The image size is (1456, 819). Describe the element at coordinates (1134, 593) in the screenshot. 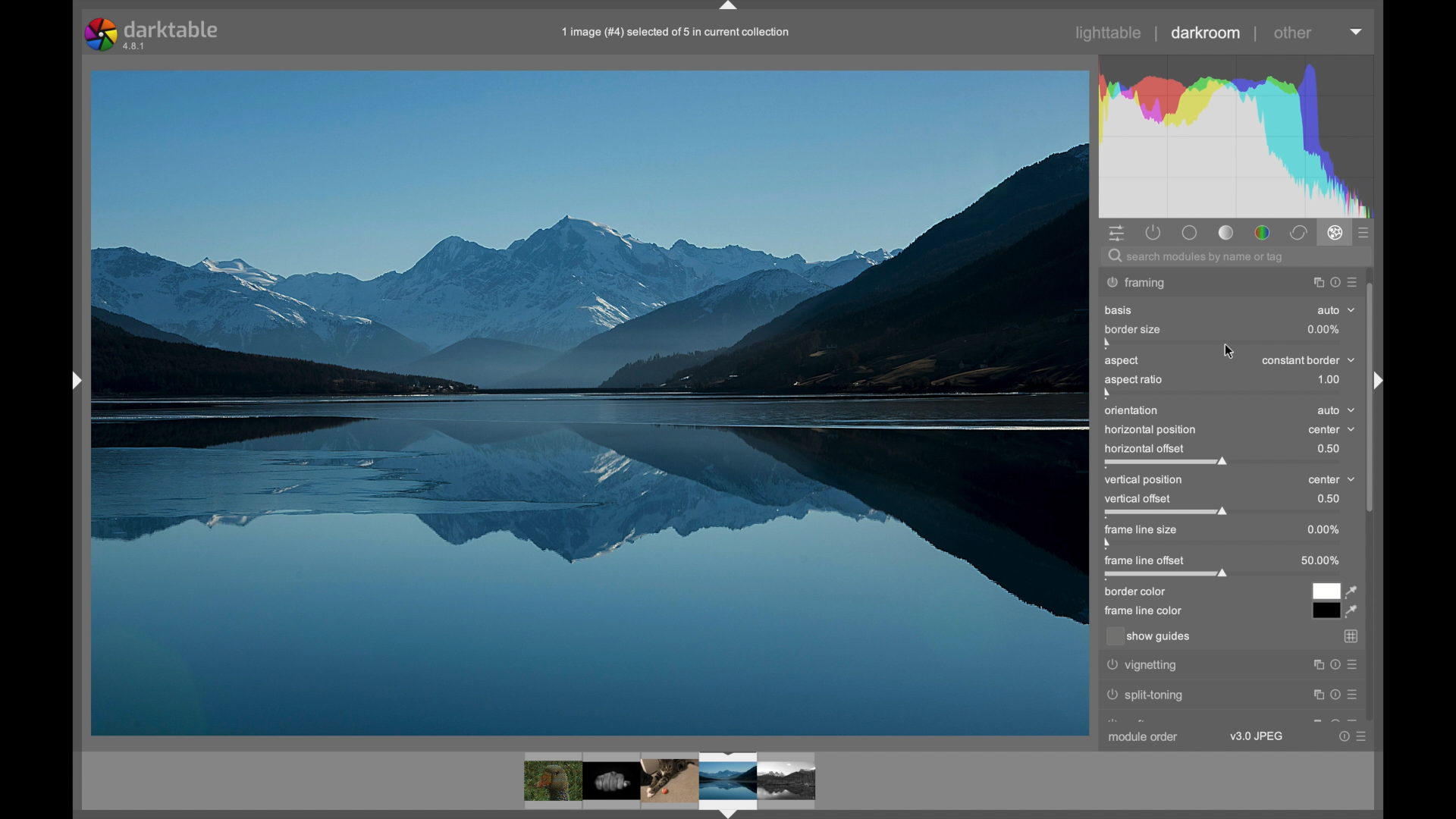

I see `border color` at that location.